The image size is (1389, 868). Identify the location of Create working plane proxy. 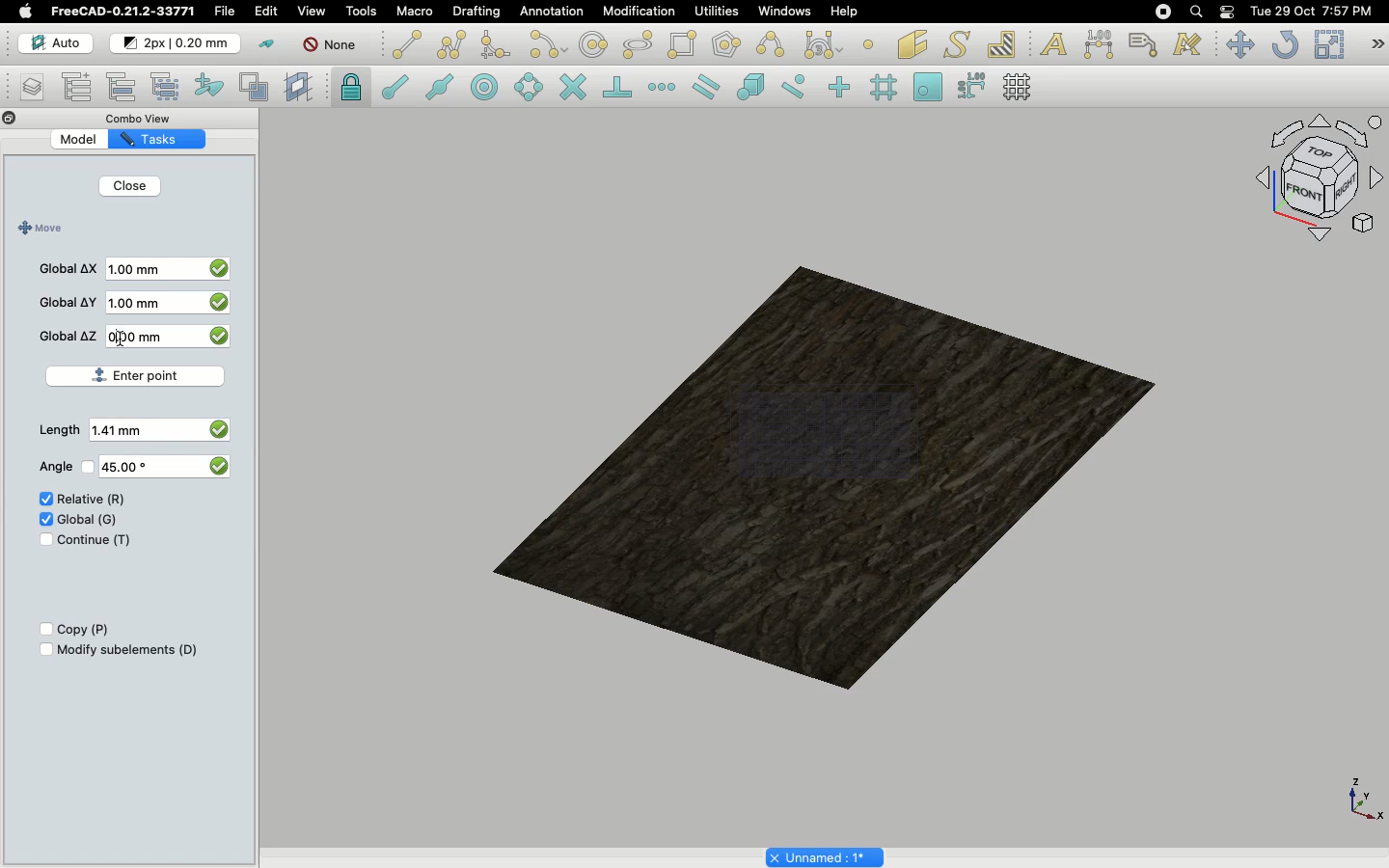
(258, 88).